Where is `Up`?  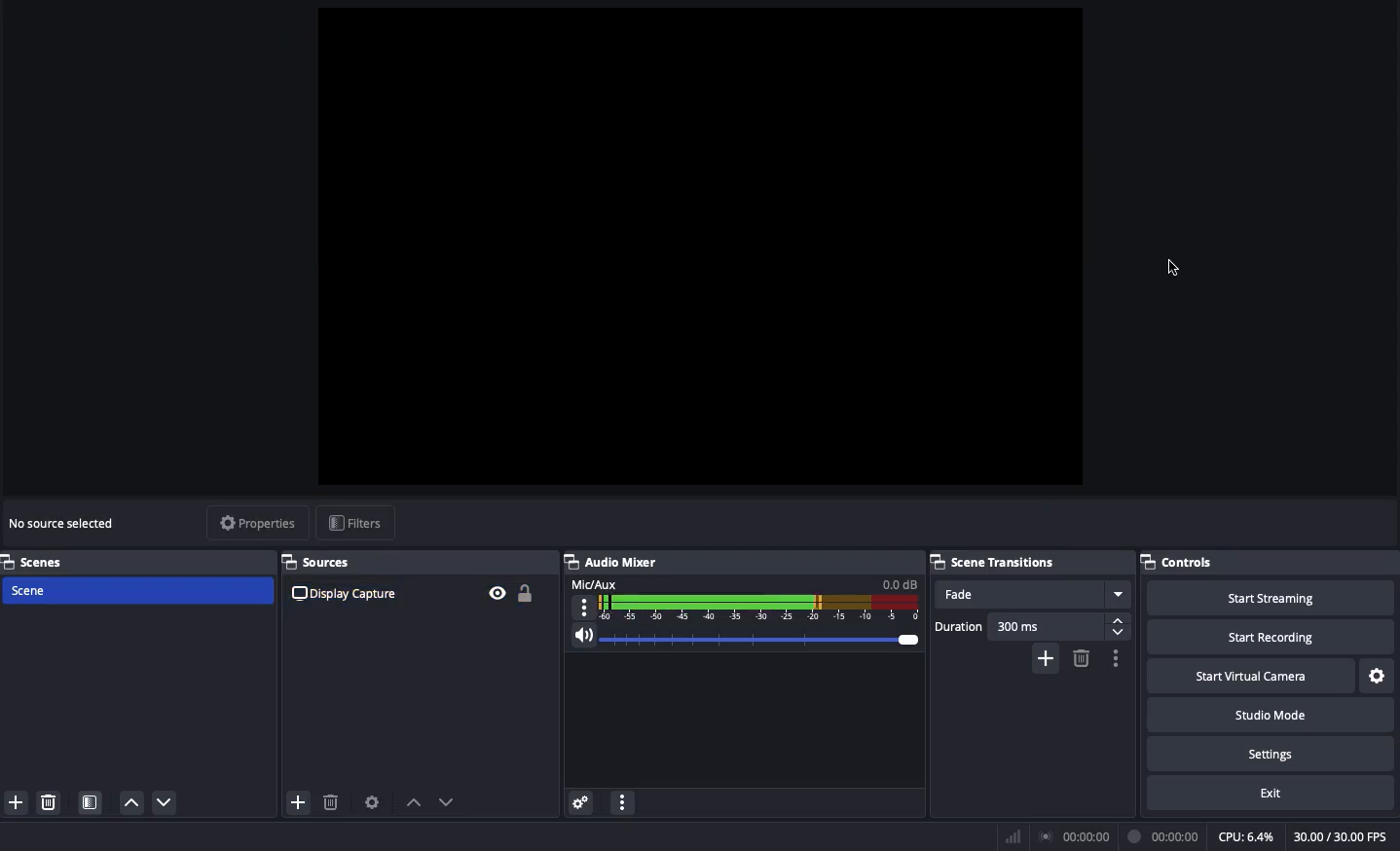
Up is located at coordinates (413, 804).